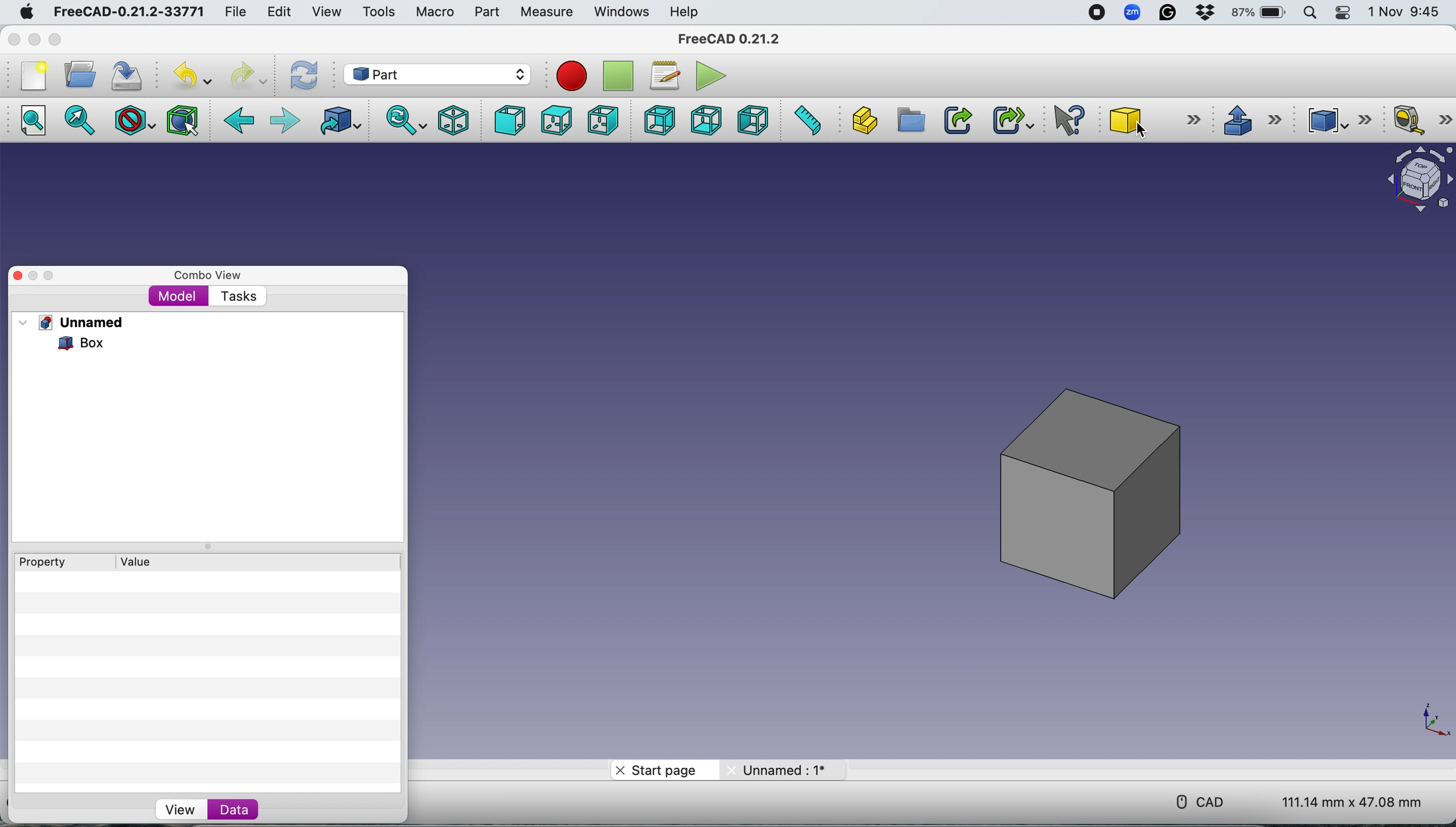 The height and width of the screenshot is (827, 1456). Describe the element at coordinates (486, 12) in the screenshot. I see `Part` at that location.